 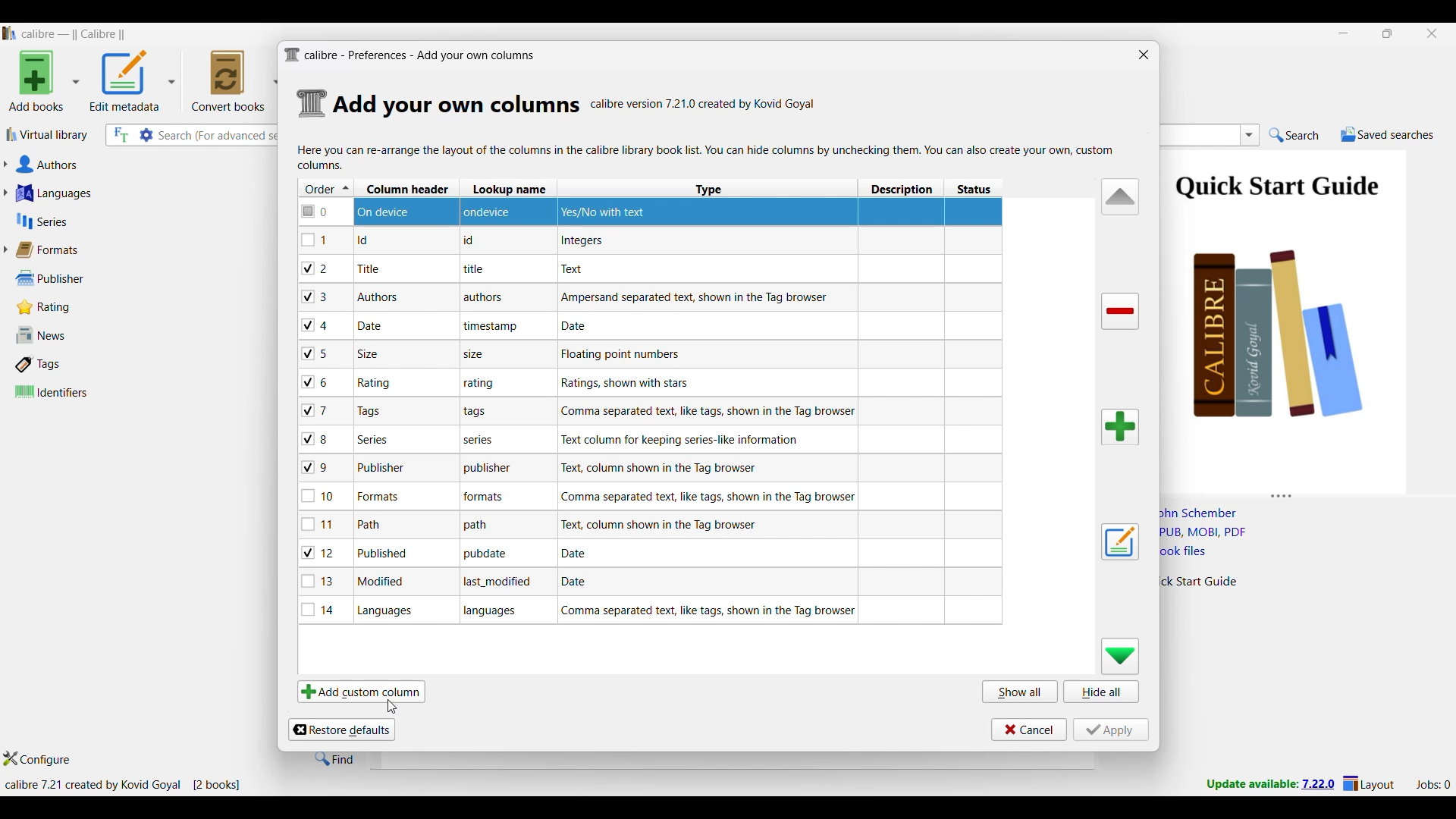 I want to click on Note, so click(x=375, y=383).